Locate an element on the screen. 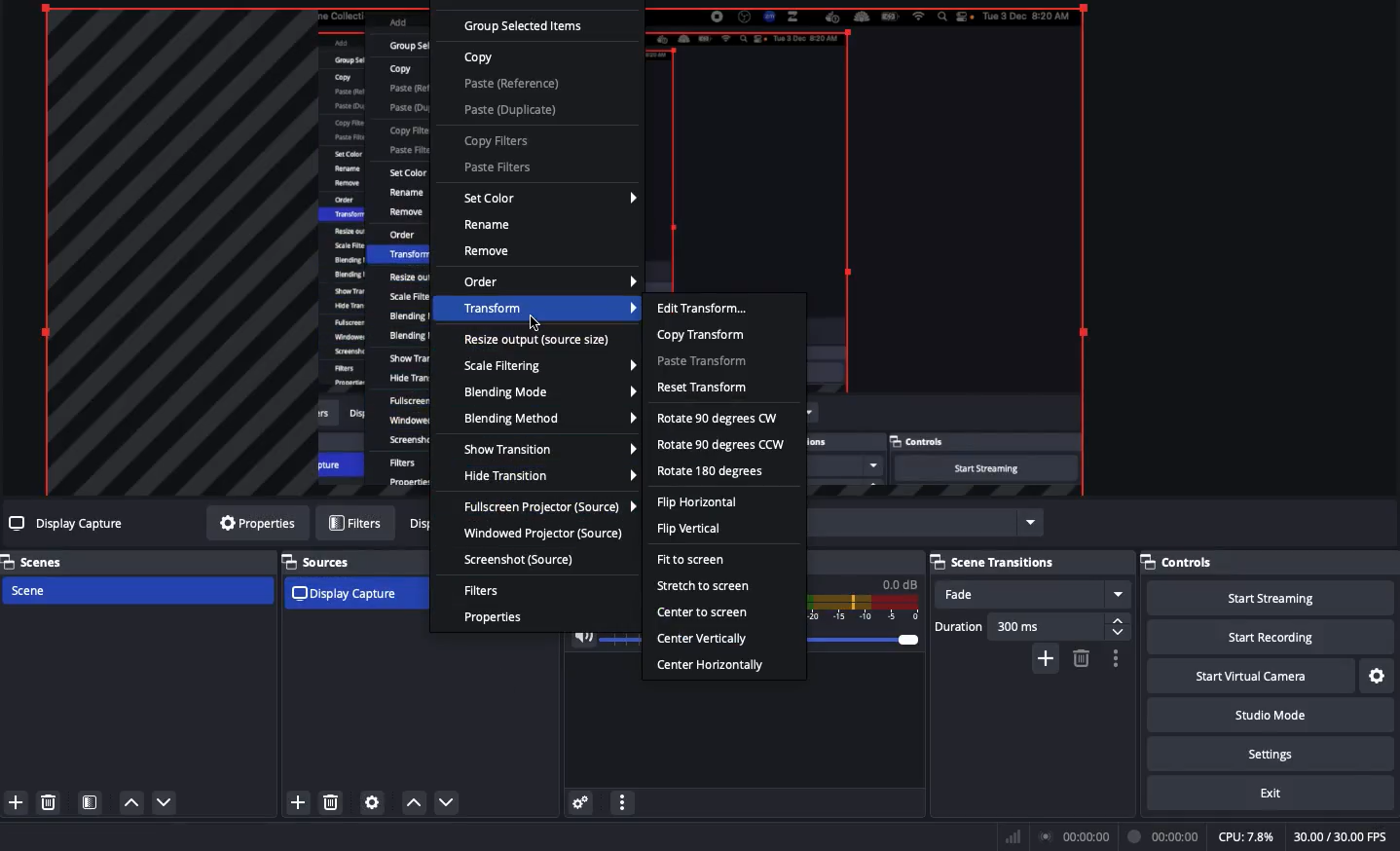  Center vertically is located at coordinates (704, 640).